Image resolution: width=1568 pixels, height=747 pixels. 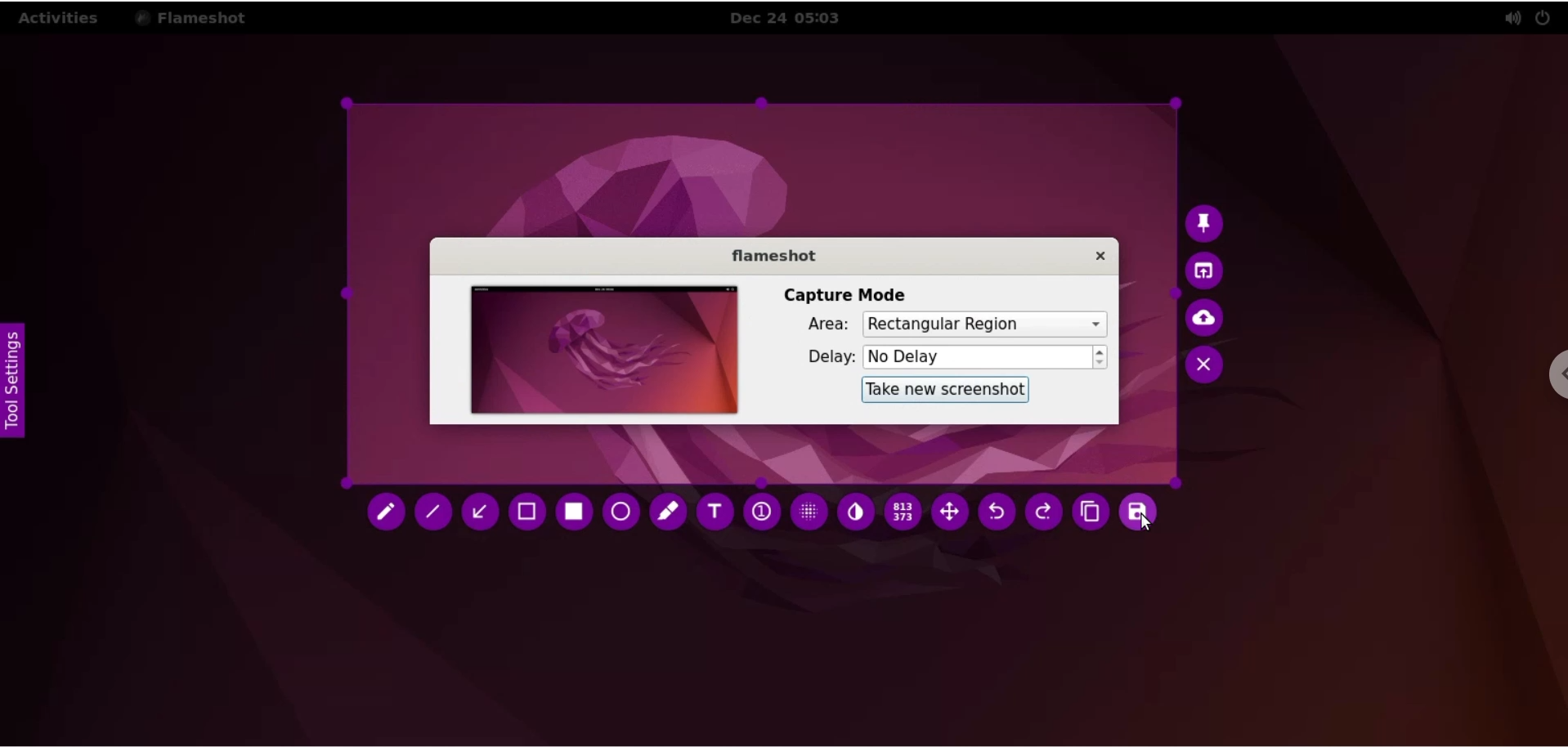 What do you see at coordinates (60, 18) in the screenshot?
I see `activities ` at bounding box center [60, 18].